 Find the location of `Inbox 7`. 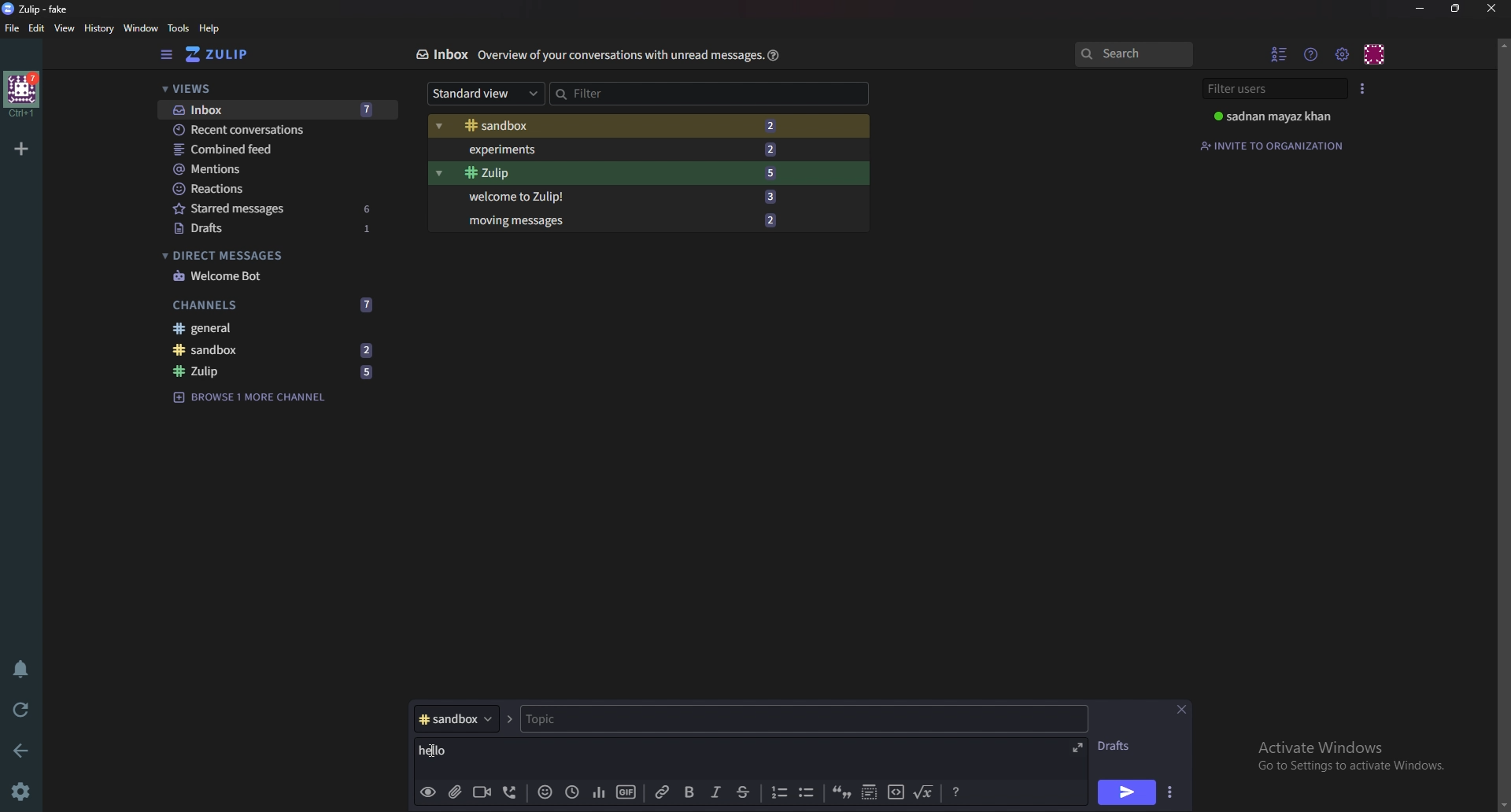

Inbox 7 is located at coordinates (273, 110).